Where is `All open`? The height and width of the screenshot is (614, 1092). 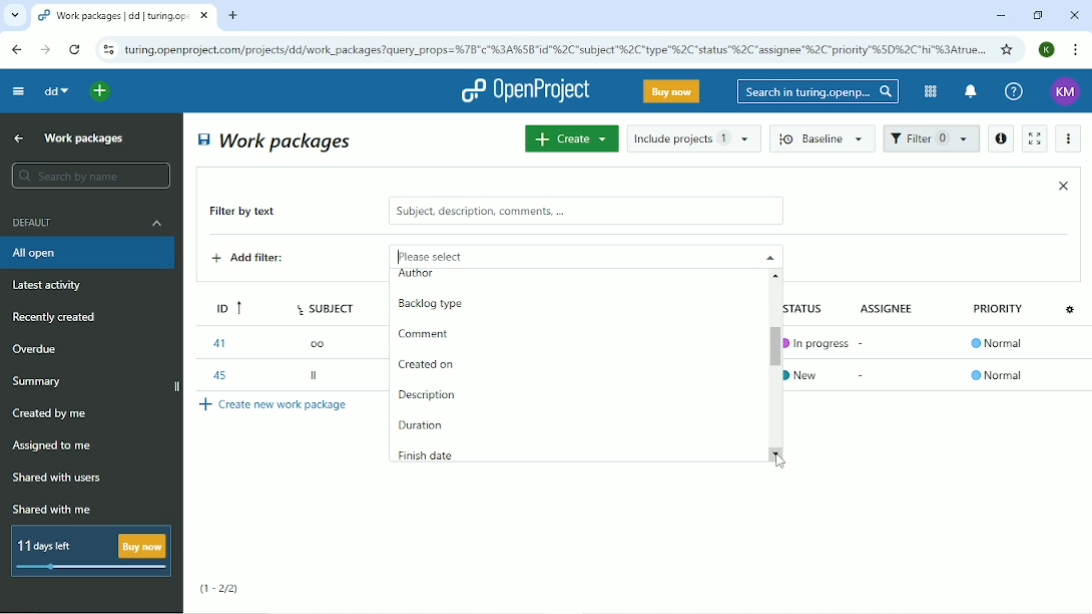
All open is located at coordinates (90, 253).